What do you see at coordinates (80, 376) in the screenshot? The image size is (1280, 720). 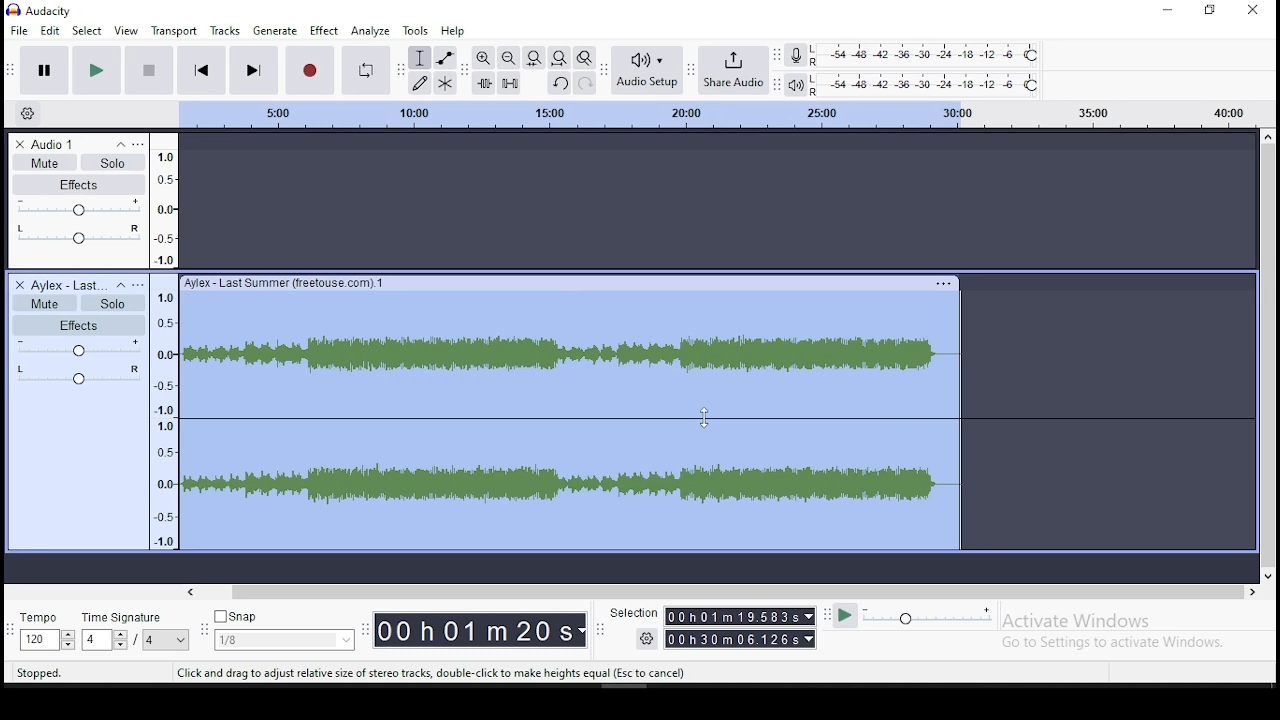 I see `pan` at bounding box center [80, 376].